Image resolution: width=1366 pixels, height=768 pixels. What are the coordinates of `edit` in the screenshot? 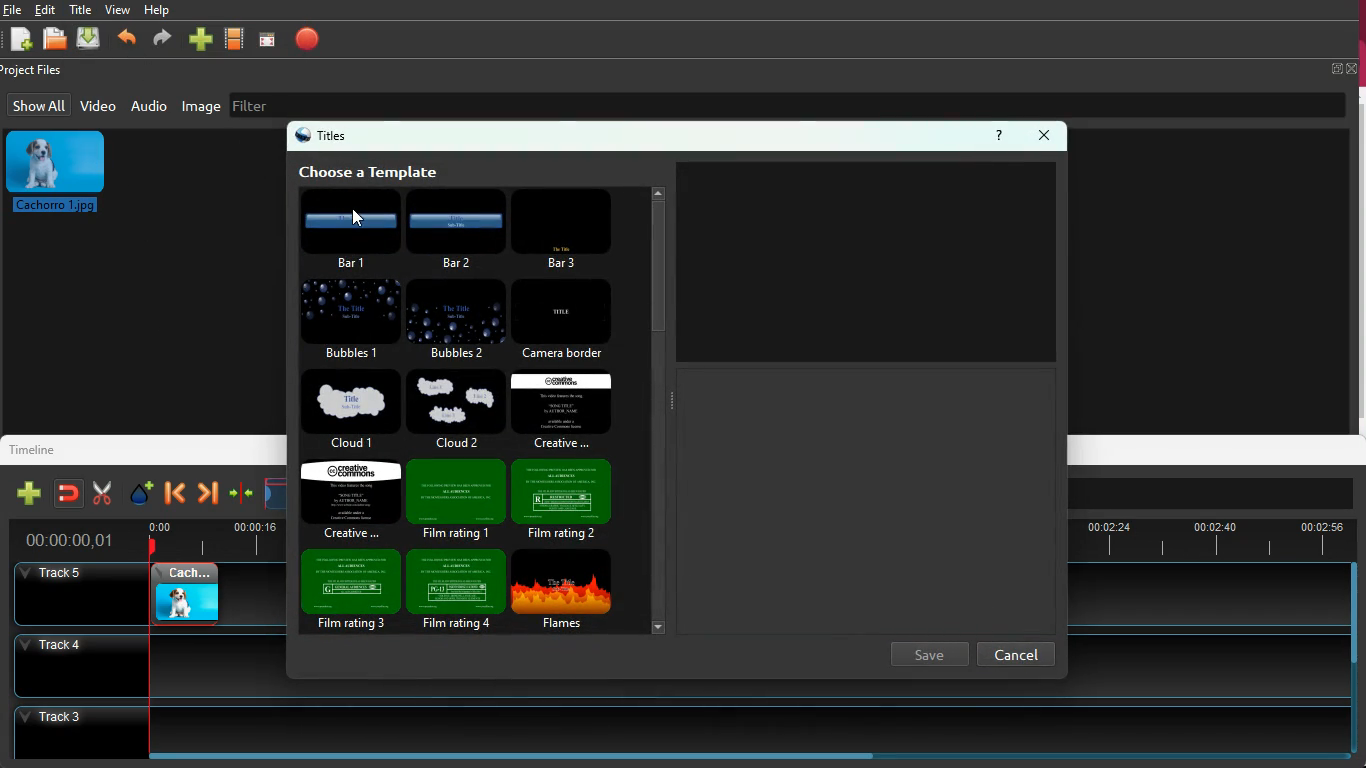 It's located at (49, 10).